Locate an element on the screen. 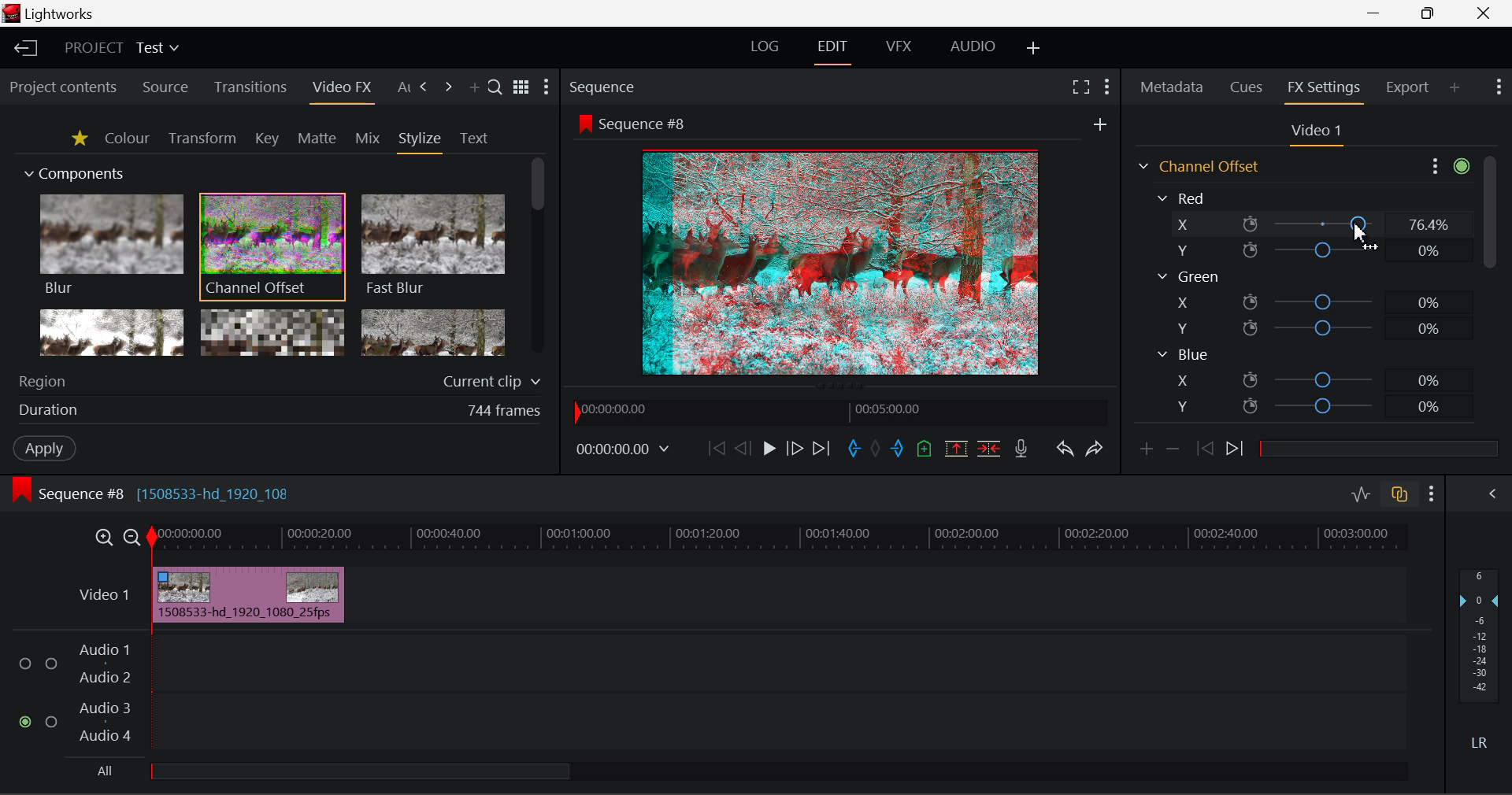 This screenshot has width=1512, height=795. Remove marked Section is located at coordinates (959, 449).